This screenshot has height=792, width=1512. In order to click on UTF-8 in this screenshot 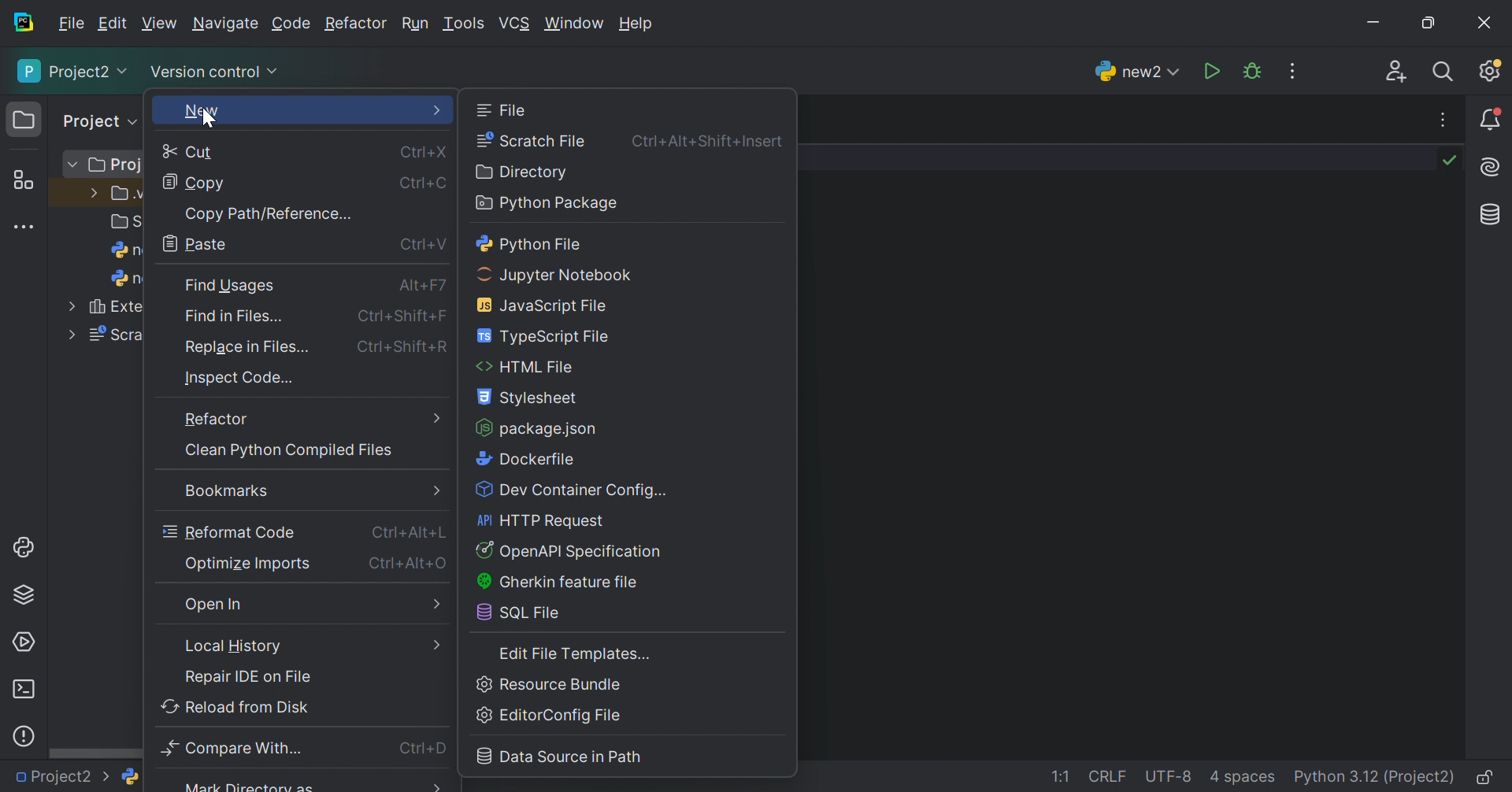, I will do `click(1170, 776)`.